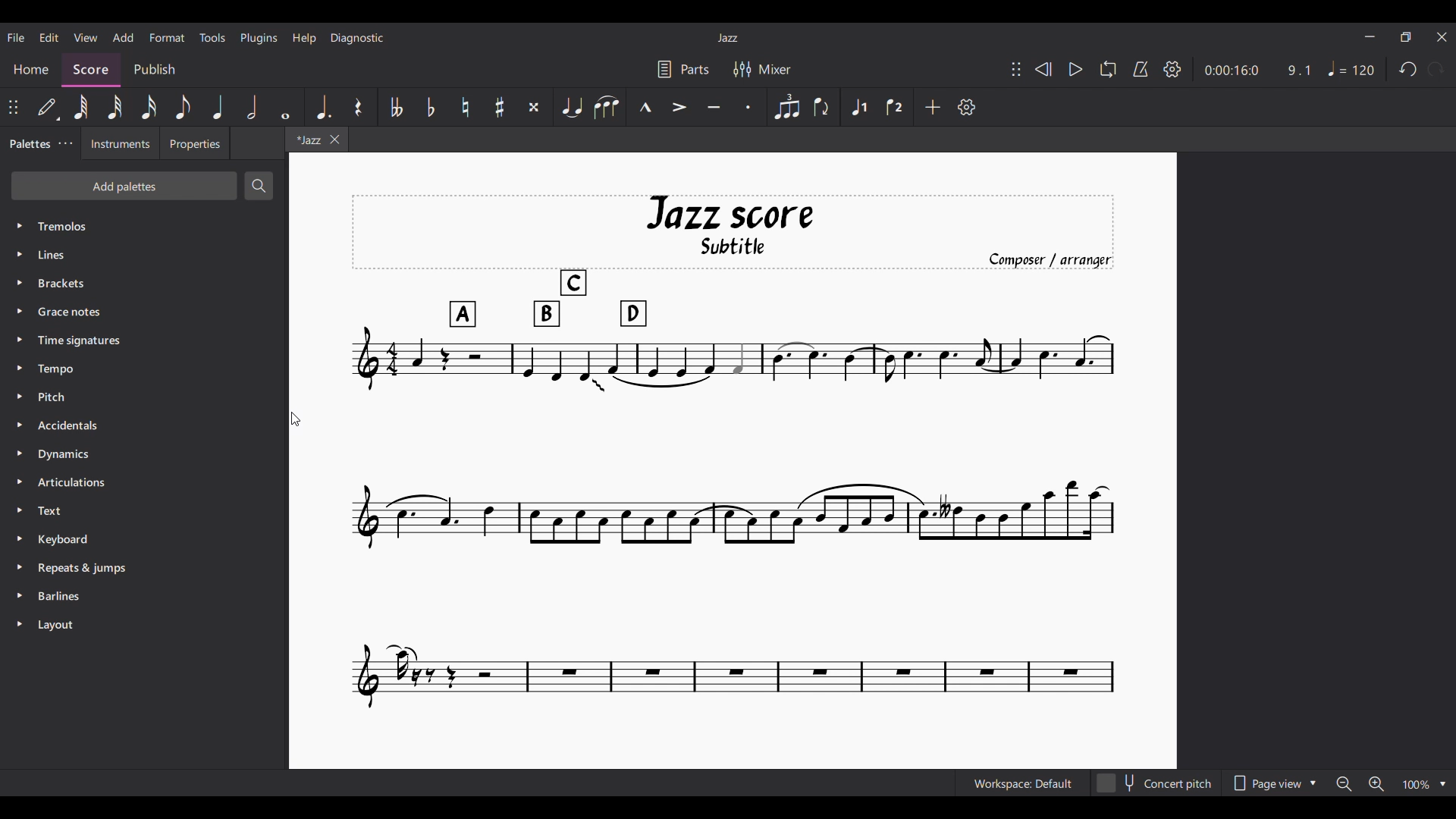 This screenshot has width=1456, height=819. I want to click on Zoom in, so click(1376, 783).